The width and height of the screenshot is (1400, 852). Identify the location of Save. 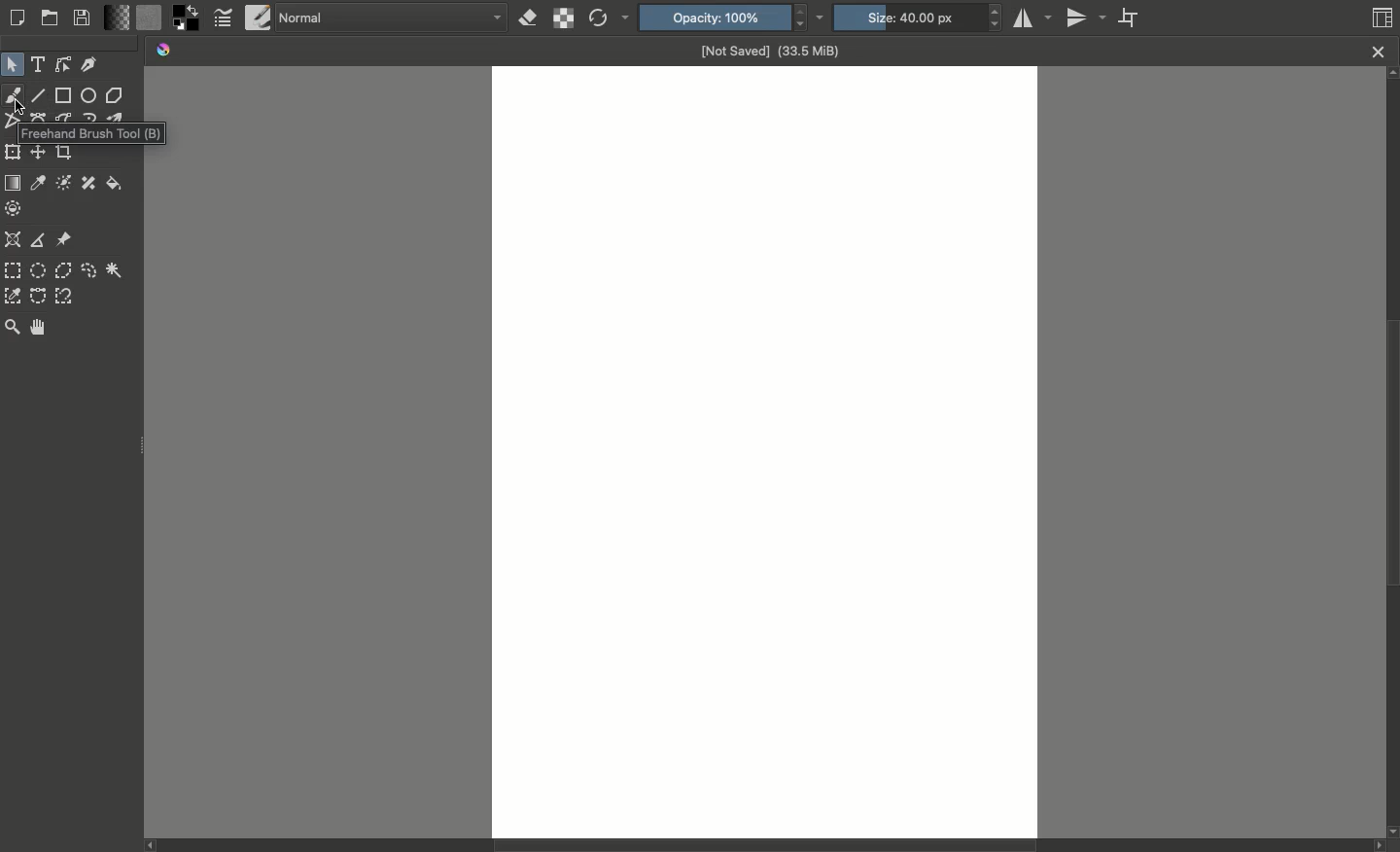
(86, 18).